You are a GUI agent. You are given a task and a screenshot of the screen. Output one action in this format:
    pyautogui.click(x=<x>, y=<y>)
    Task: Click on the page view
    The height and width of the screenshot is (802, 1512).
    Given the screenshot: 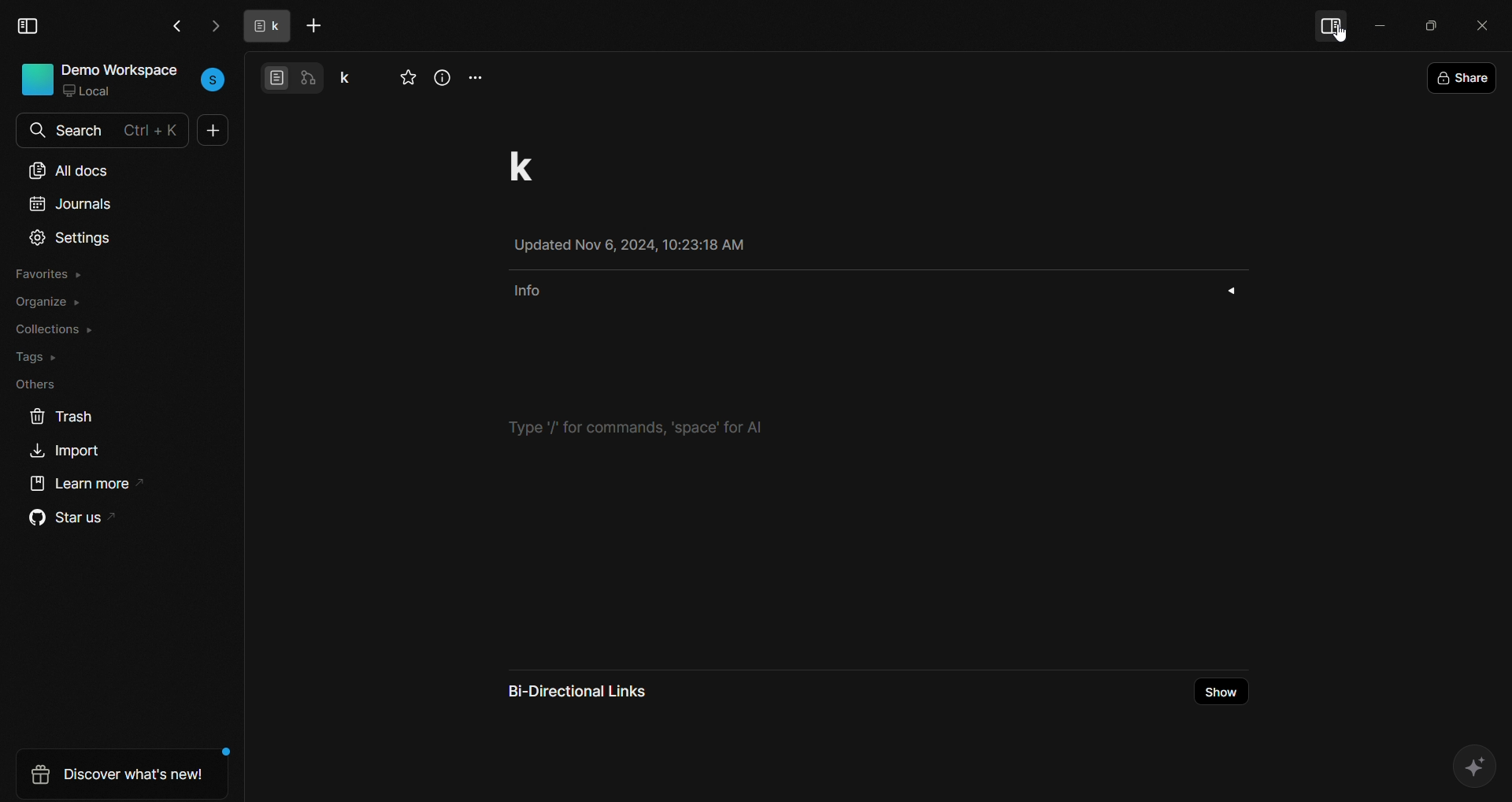 What is the action you would take?
    pyautogui.click(x=276, y=76)
    